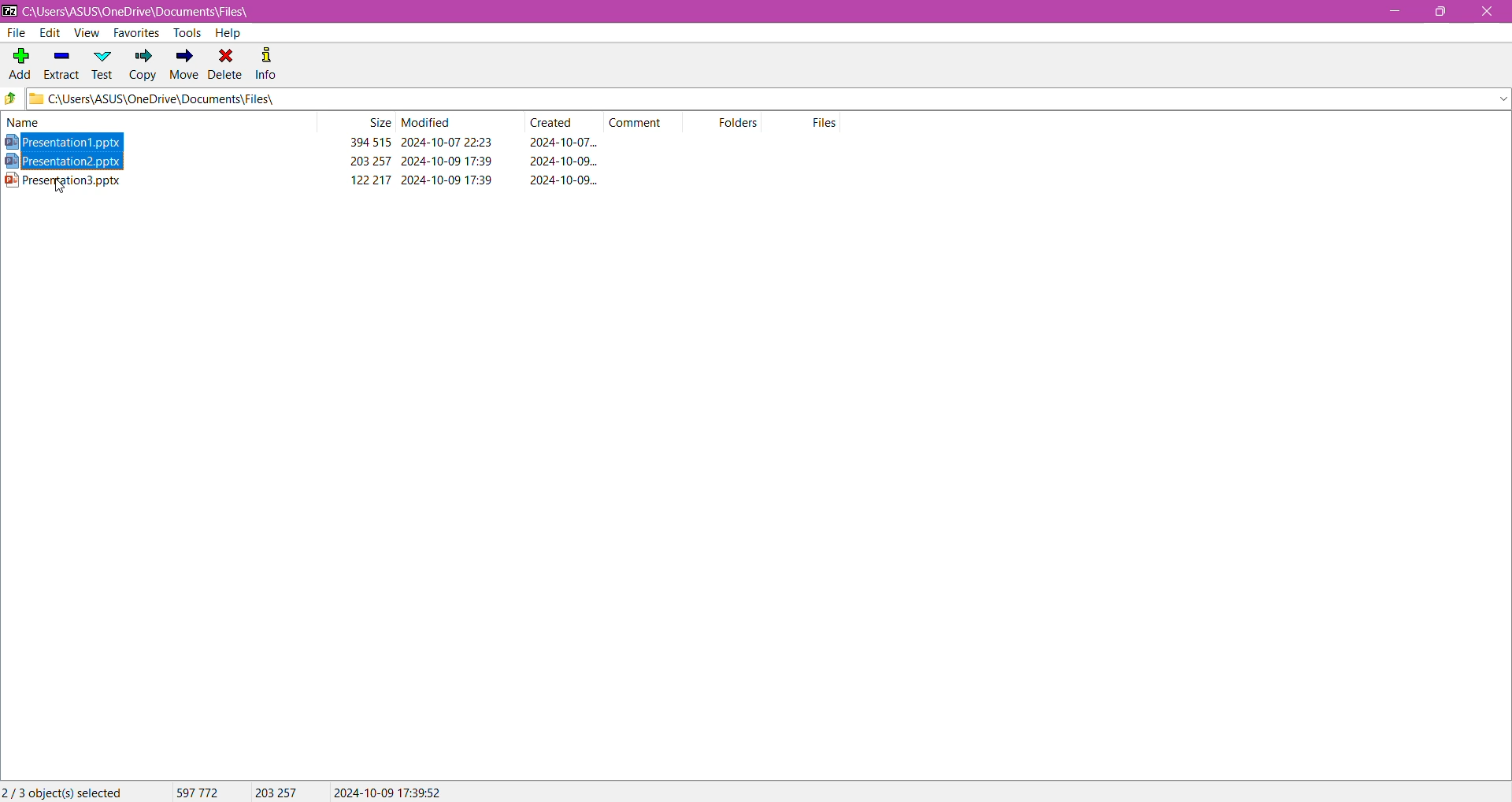  Describe the element at coordinates (59, 190) in the screenshot. I see `cursor` at that location.